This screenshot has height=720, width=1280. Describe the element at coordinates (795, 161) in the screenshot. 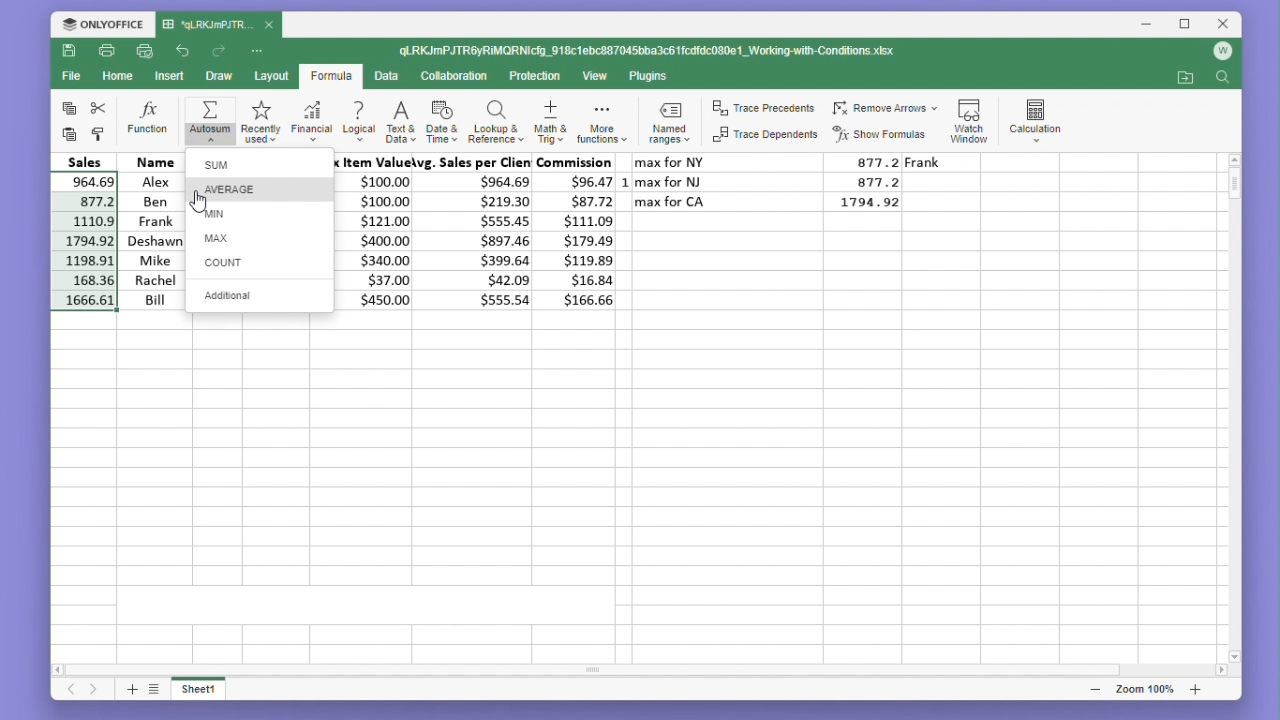

I see `max for NY 877.2 Frank` at that location.